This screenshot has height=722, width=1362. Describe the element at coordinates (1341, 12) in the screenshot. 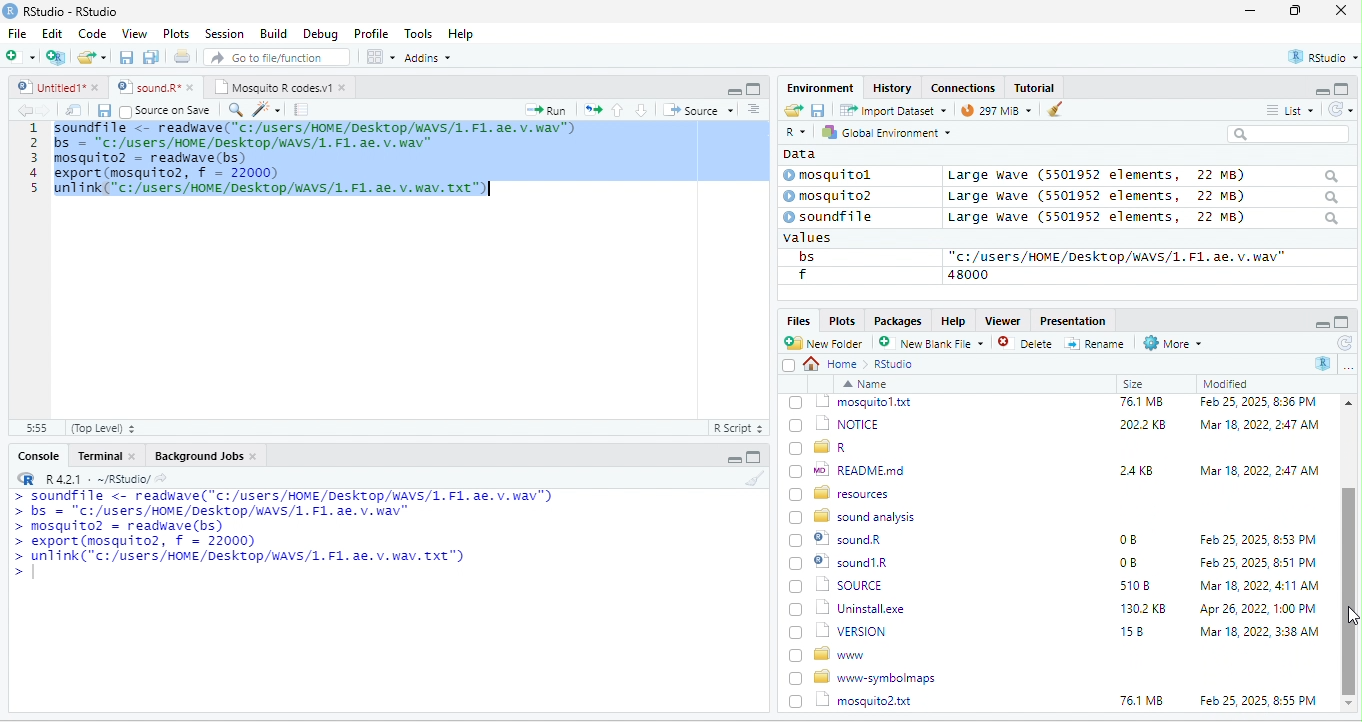

I see `close` at that location.